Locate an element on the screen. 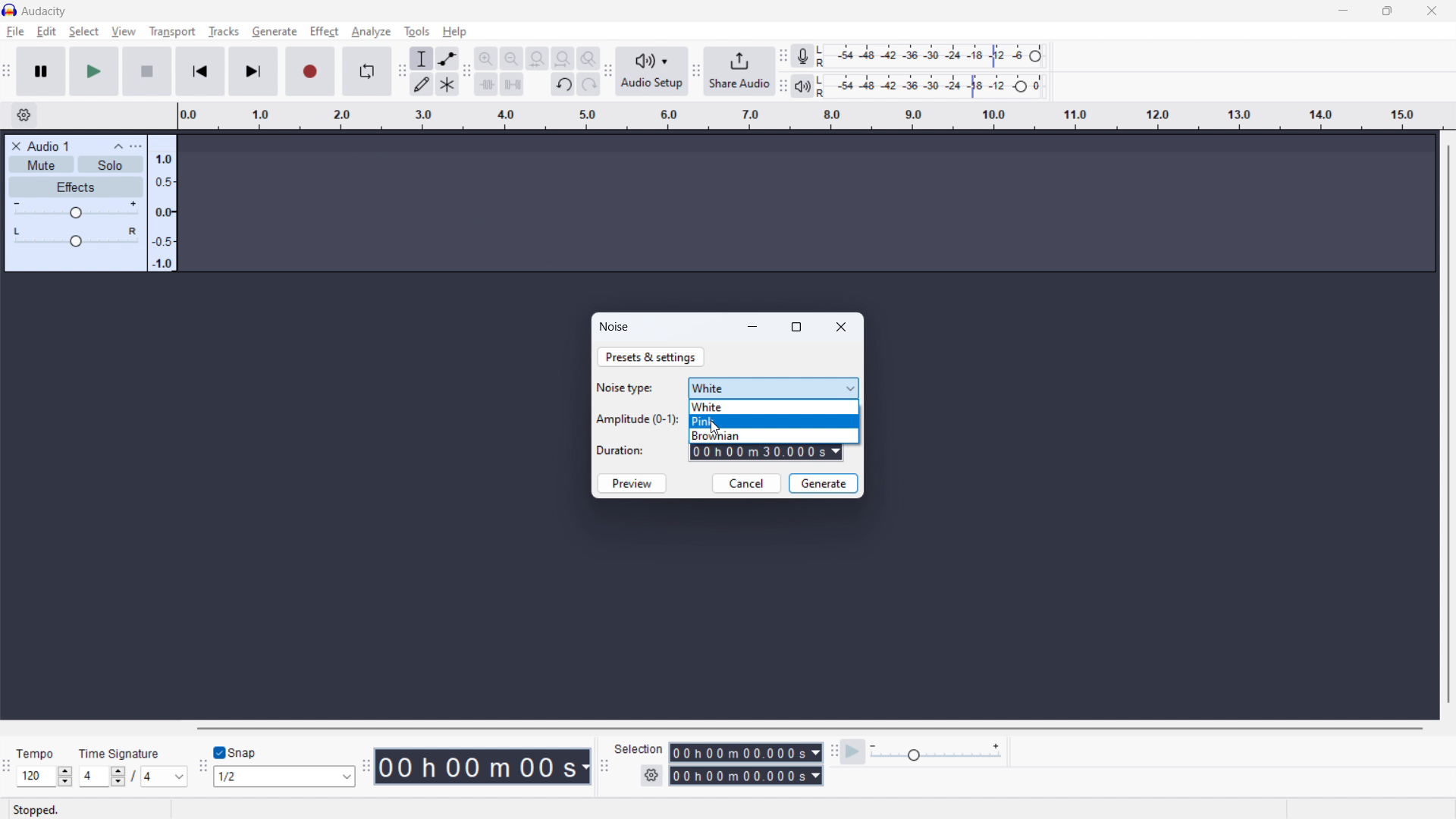  Cursor on pink is located at coordinates (775, 421).